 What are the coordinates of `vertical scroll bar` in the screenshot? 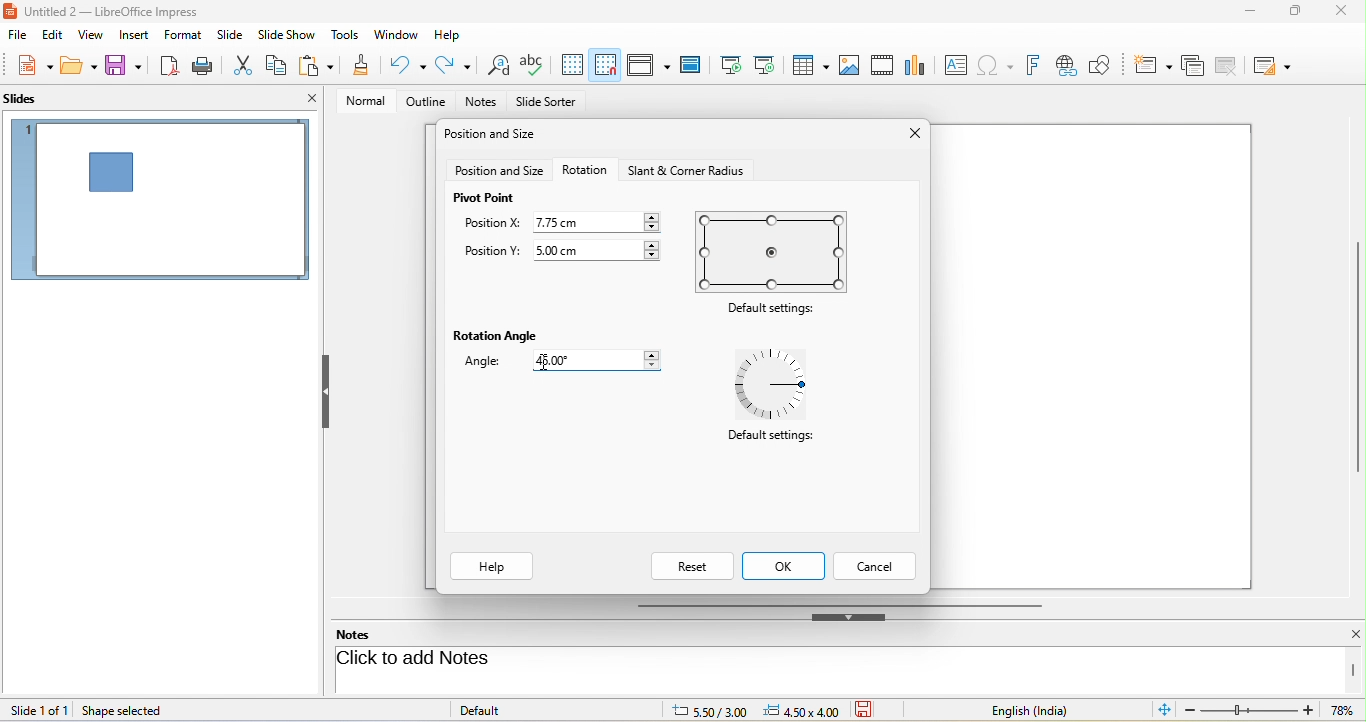 It's located at (1357, 357).